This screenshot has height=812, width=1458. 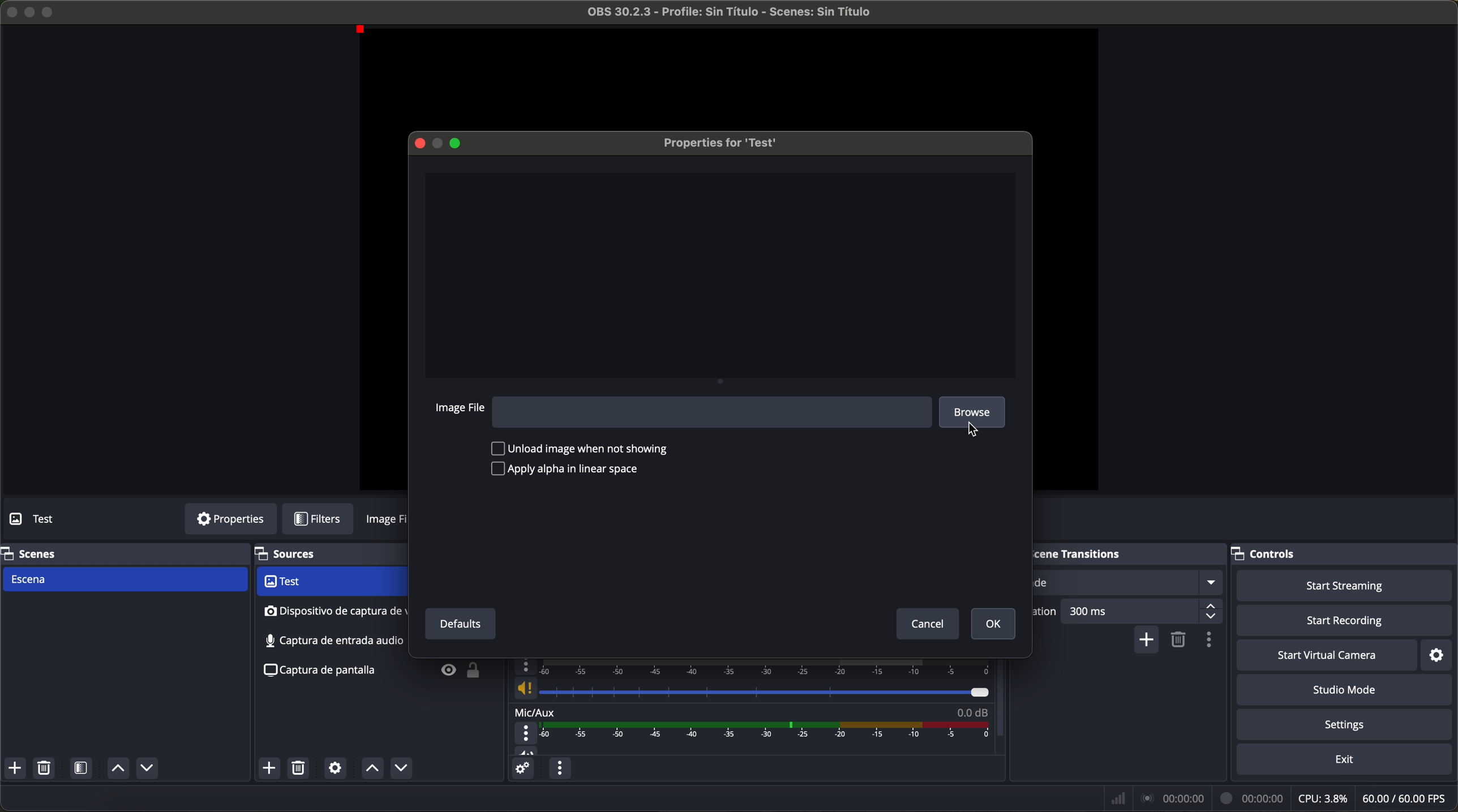 I want to click on space, so click(x=711, y=411).